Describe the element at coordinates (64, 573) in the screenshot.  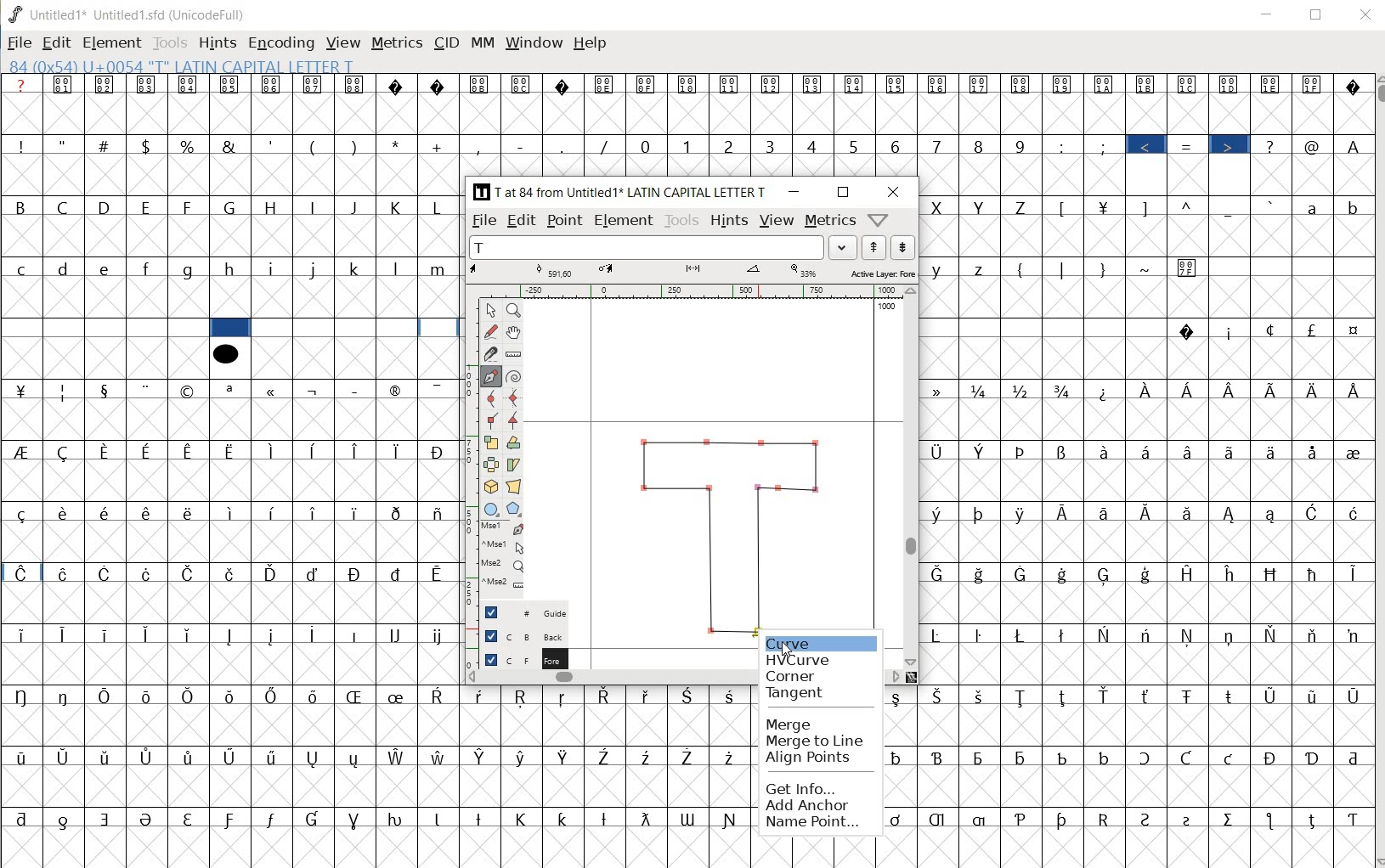
I see `Symbol` at that location.